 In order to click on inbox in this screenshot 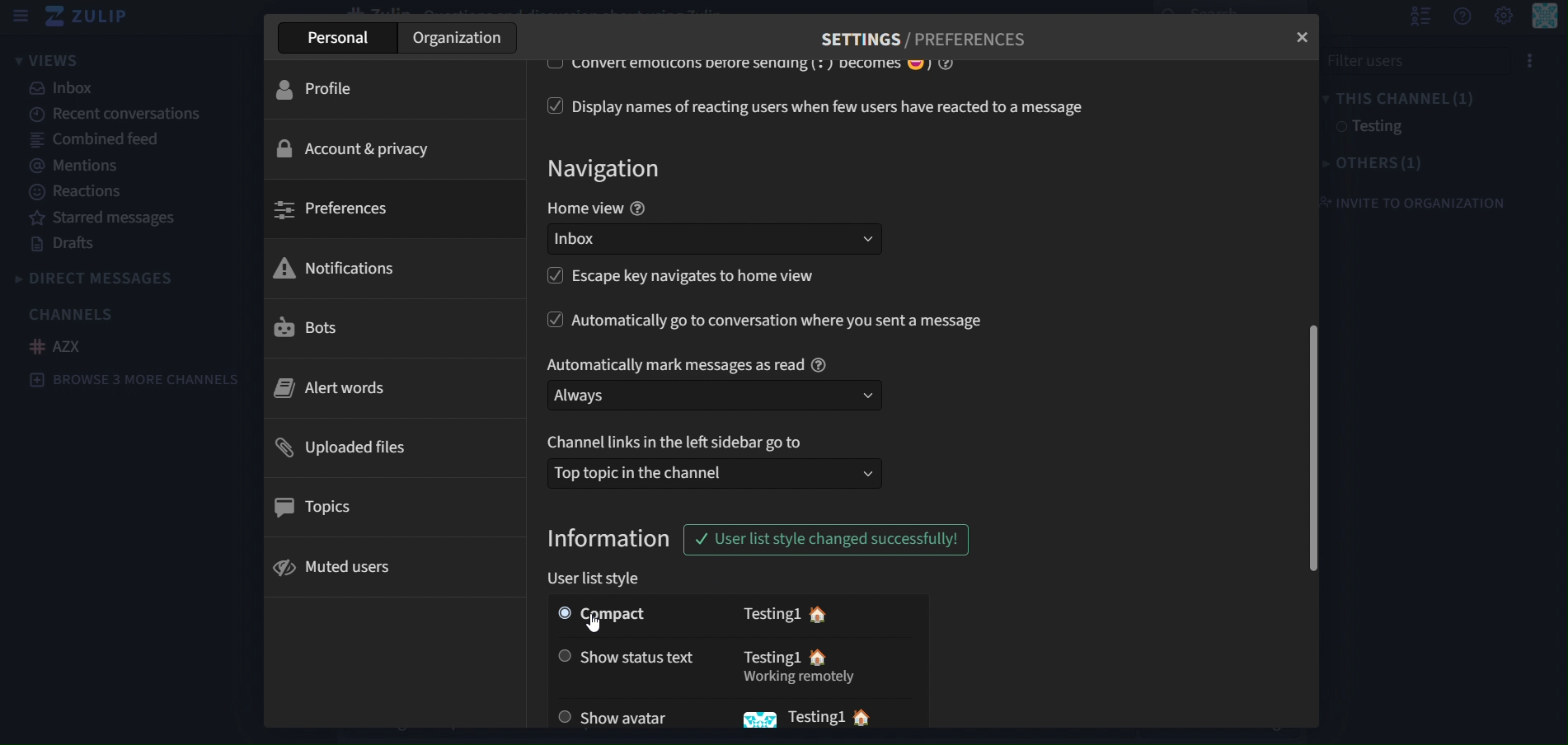, I will do `click(722, 241)`.